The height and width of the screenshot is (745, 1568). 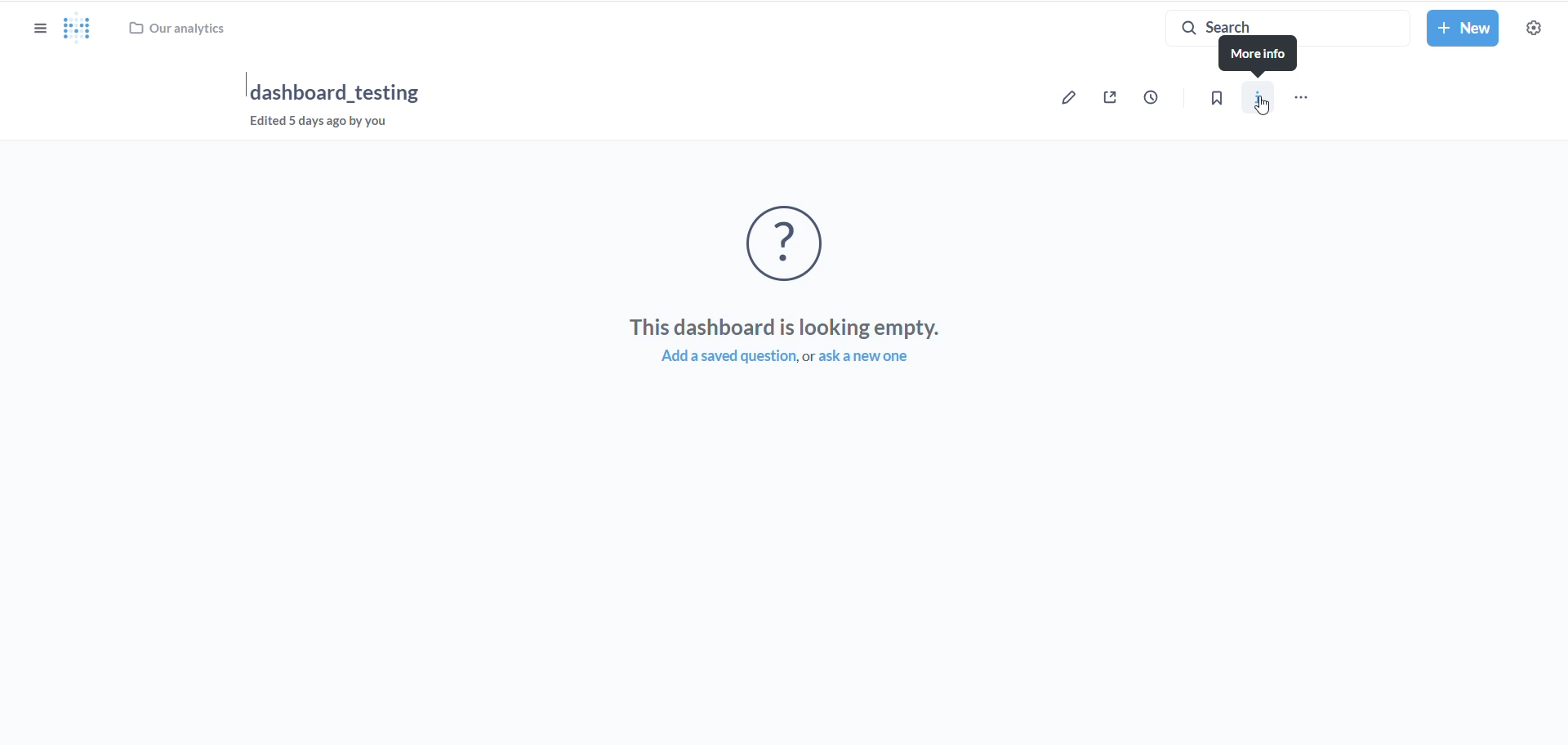 What do you see at coordinates (1156, 97) in the screenshot?
I see `time` at bounding box center [1156, 97].